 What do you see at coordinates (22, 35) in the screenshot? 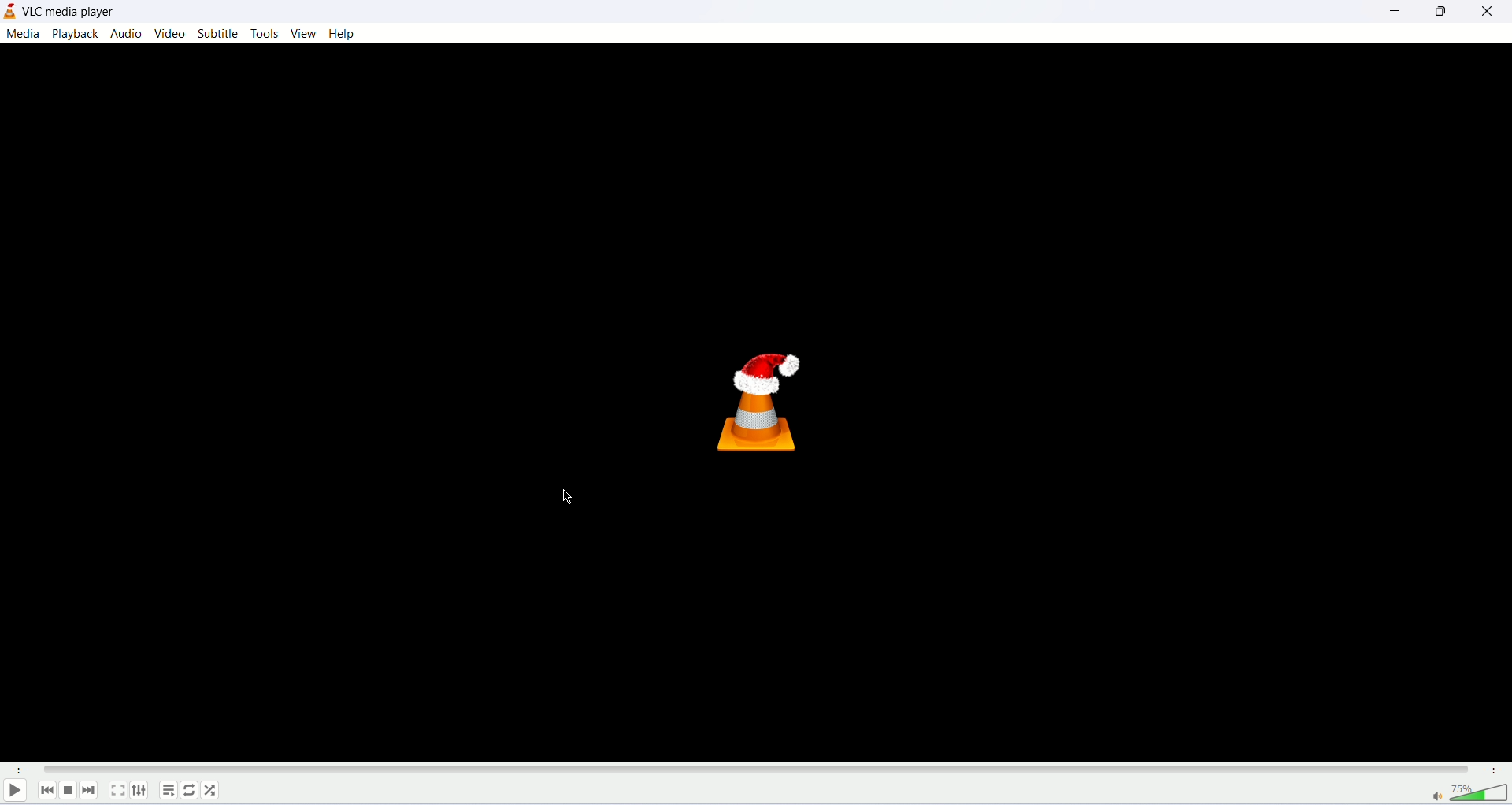
I see `media` at bounding box center [22, 35].